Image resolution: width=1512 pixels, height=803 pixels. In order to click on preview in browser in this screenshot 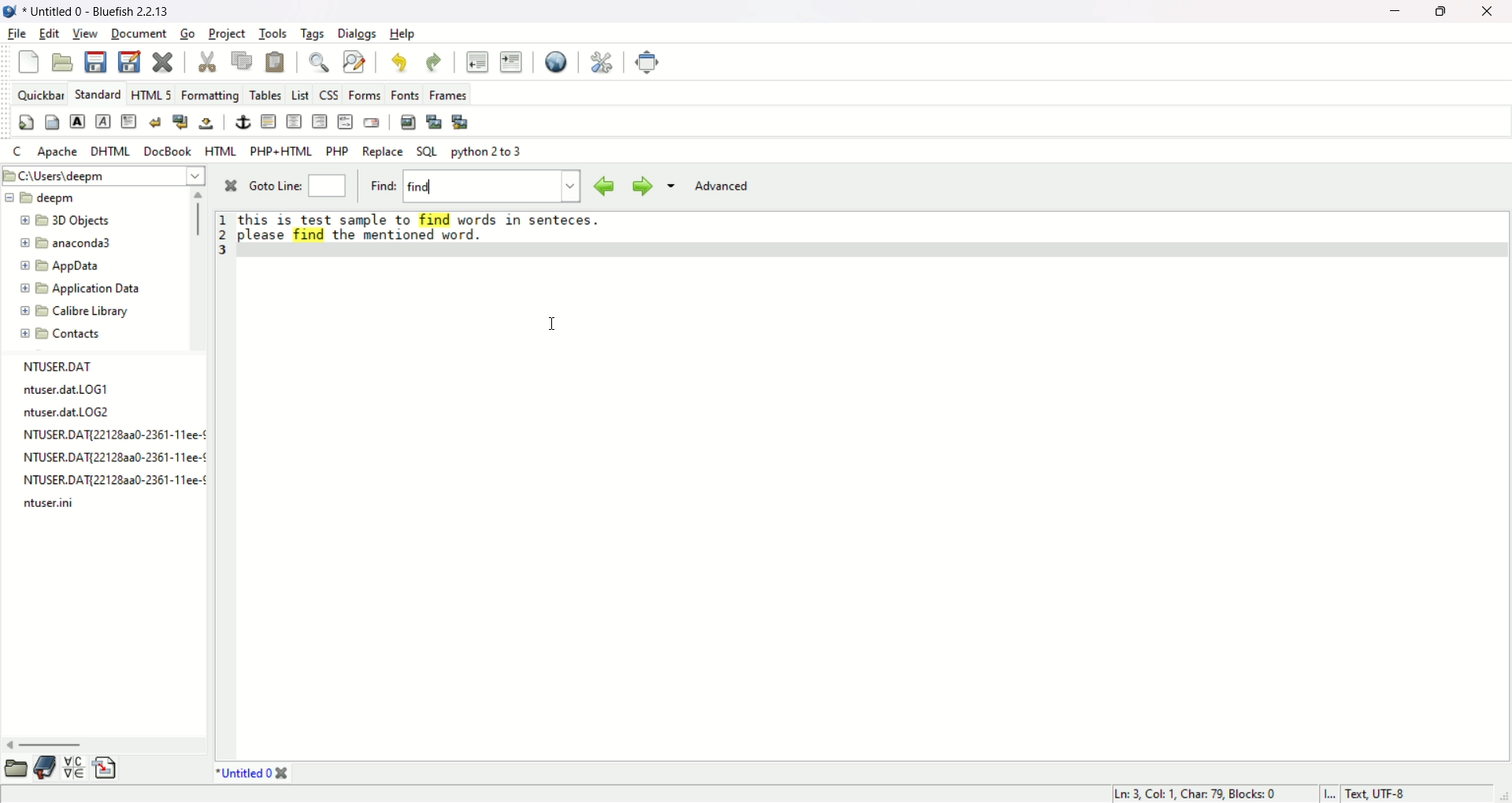, I will do `click(556, 61)`.